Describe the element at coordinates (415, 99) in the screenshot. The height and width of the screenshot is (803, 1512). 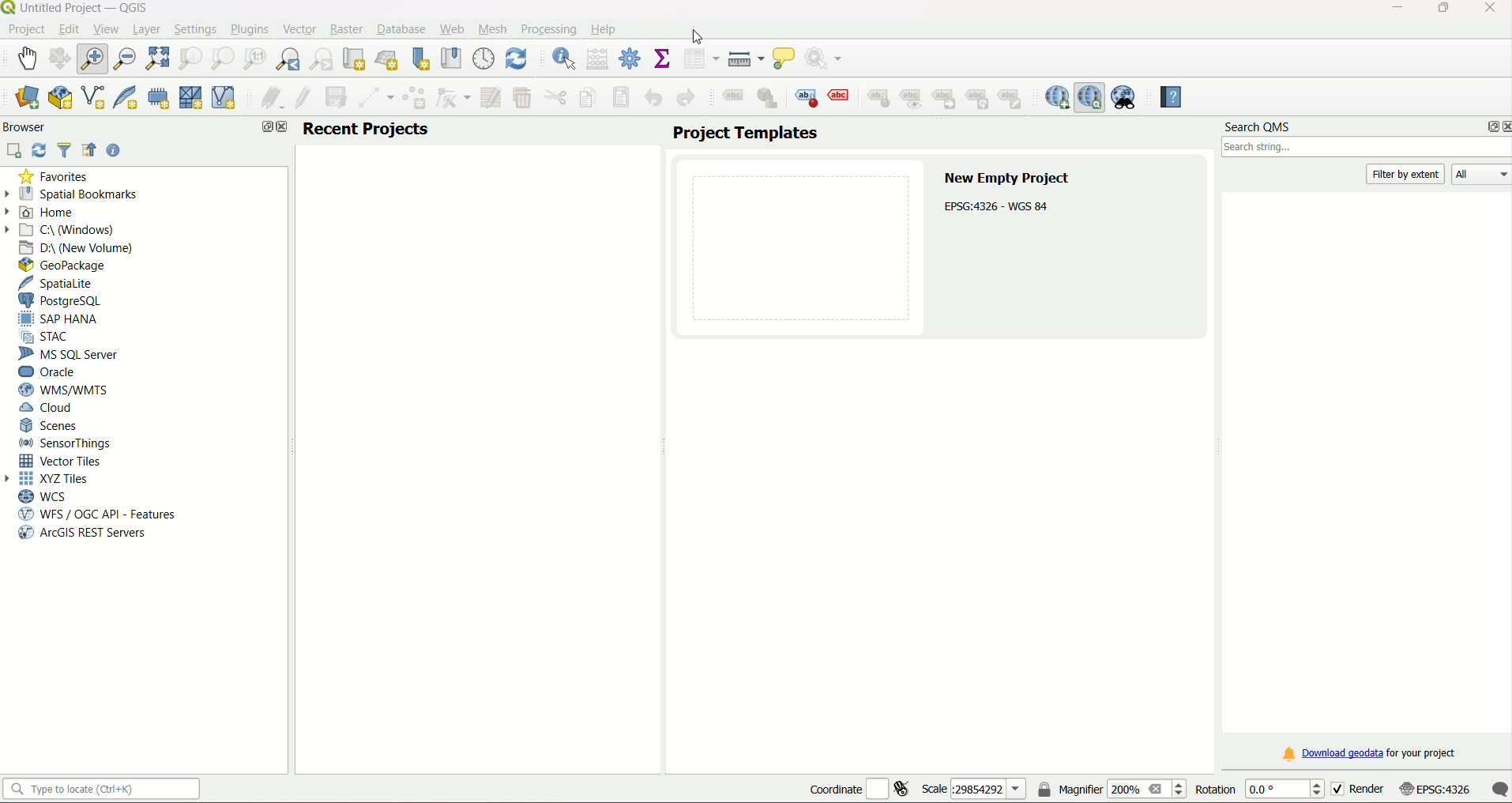
I see `add feature` at that location.